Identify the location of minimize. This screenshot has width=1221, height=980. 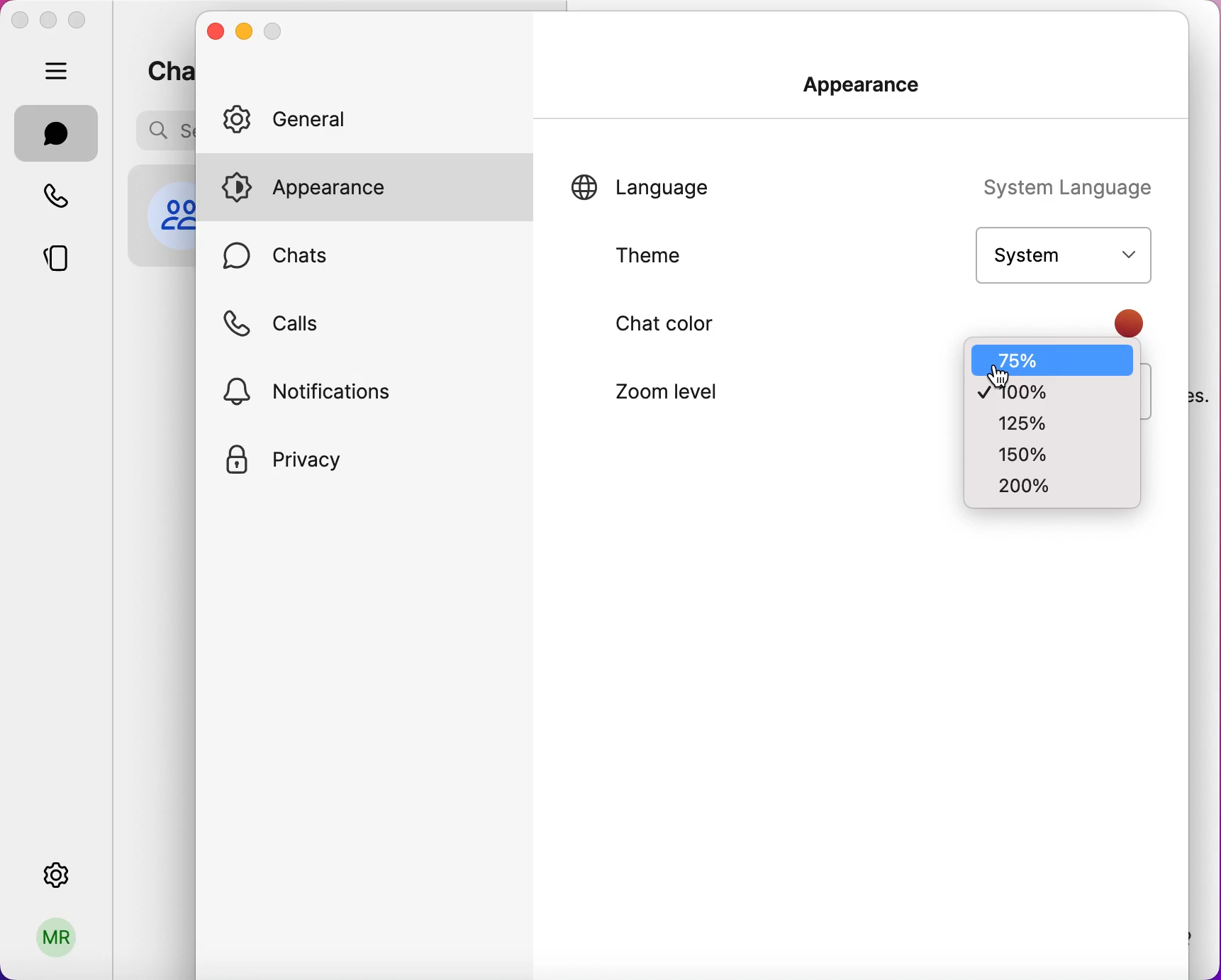
(246, 31).